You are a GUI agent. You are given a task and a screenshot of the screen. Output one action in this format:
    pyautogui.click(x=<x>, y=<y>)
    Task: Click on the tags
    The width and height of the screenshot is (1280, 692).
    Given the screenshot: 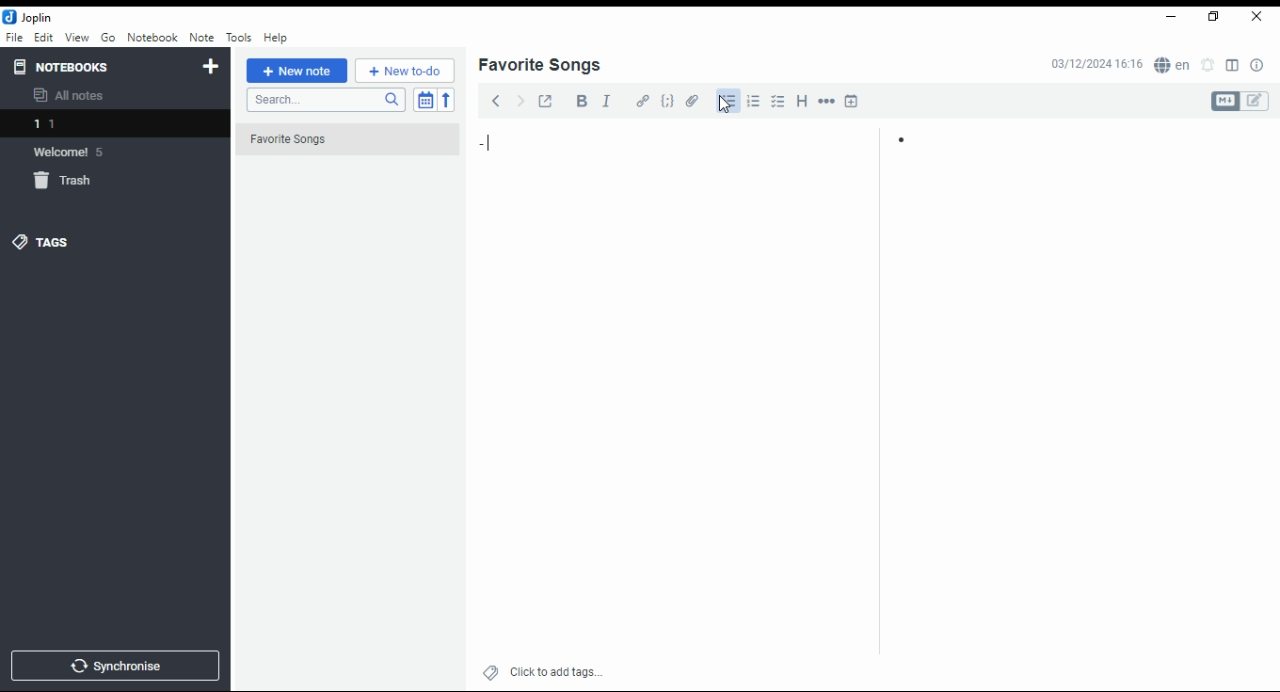 What is the action you would take?
    pyautogui.click(x=41, y=241)
    